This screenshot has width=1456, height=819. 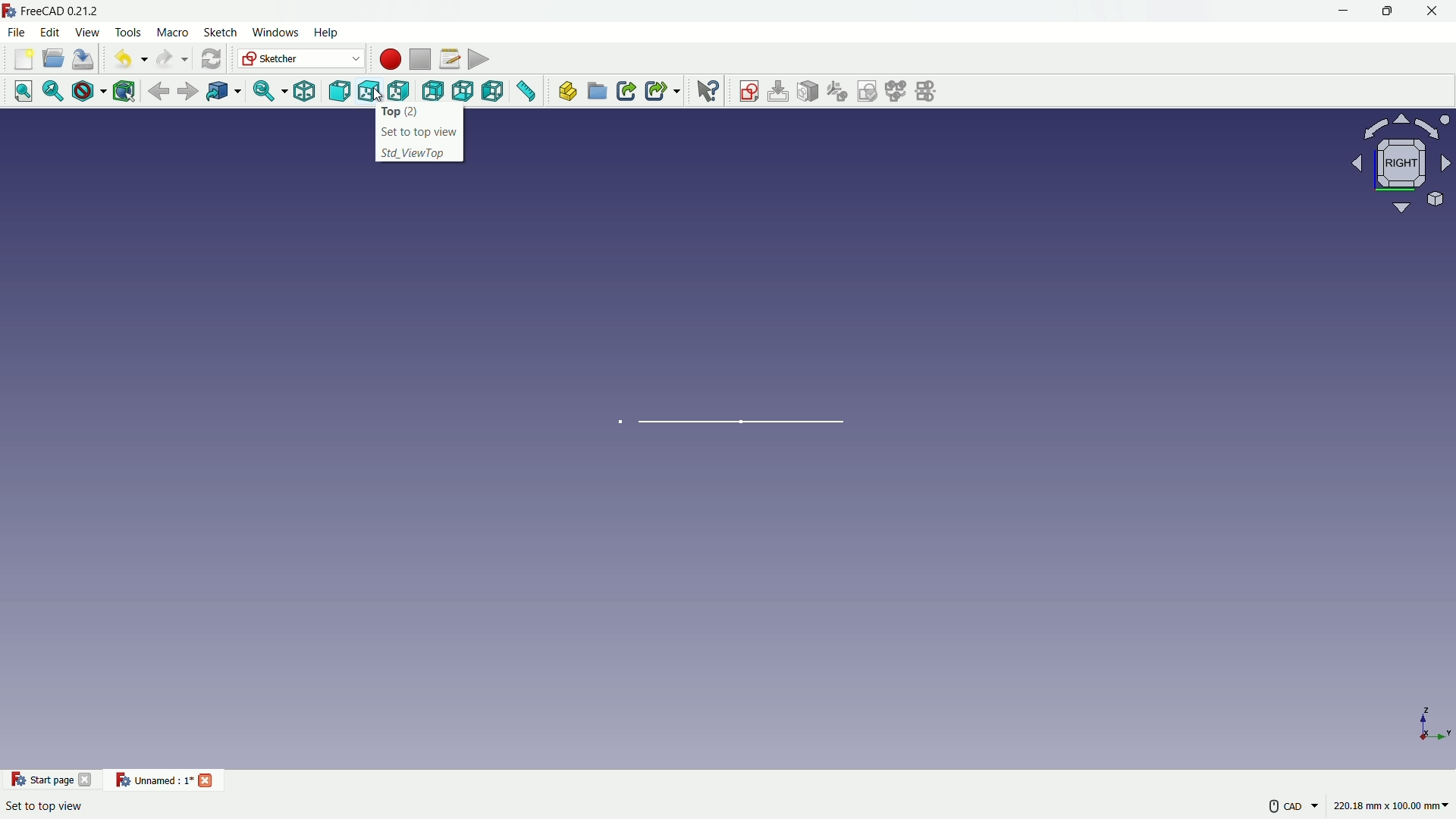 I want to click on isometric view, so click(x=308, y=92).